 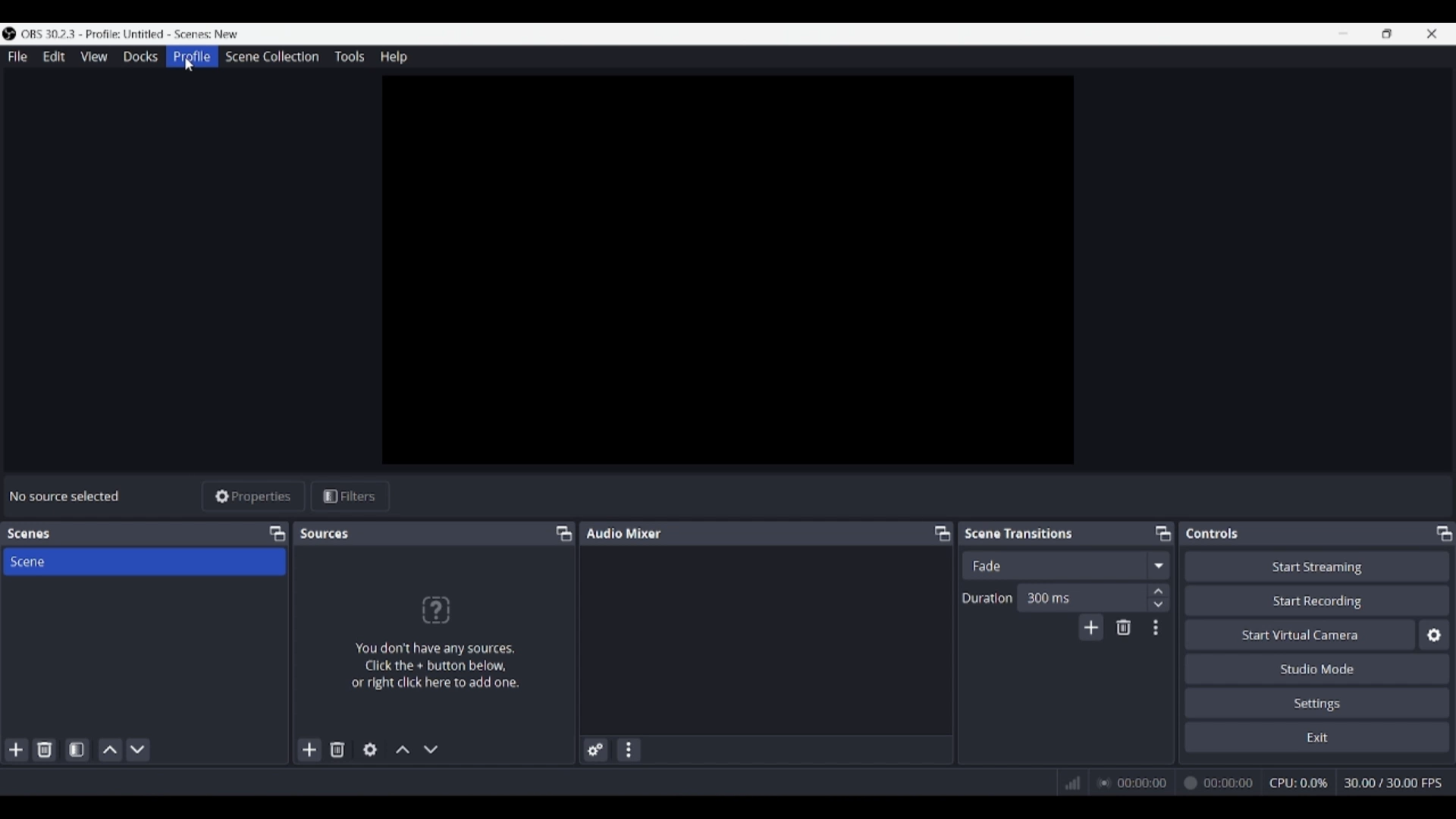 What do you see at coordinates (624, 532) in the screenshot?
I see `Panel title` at bounding box center [624, 532].